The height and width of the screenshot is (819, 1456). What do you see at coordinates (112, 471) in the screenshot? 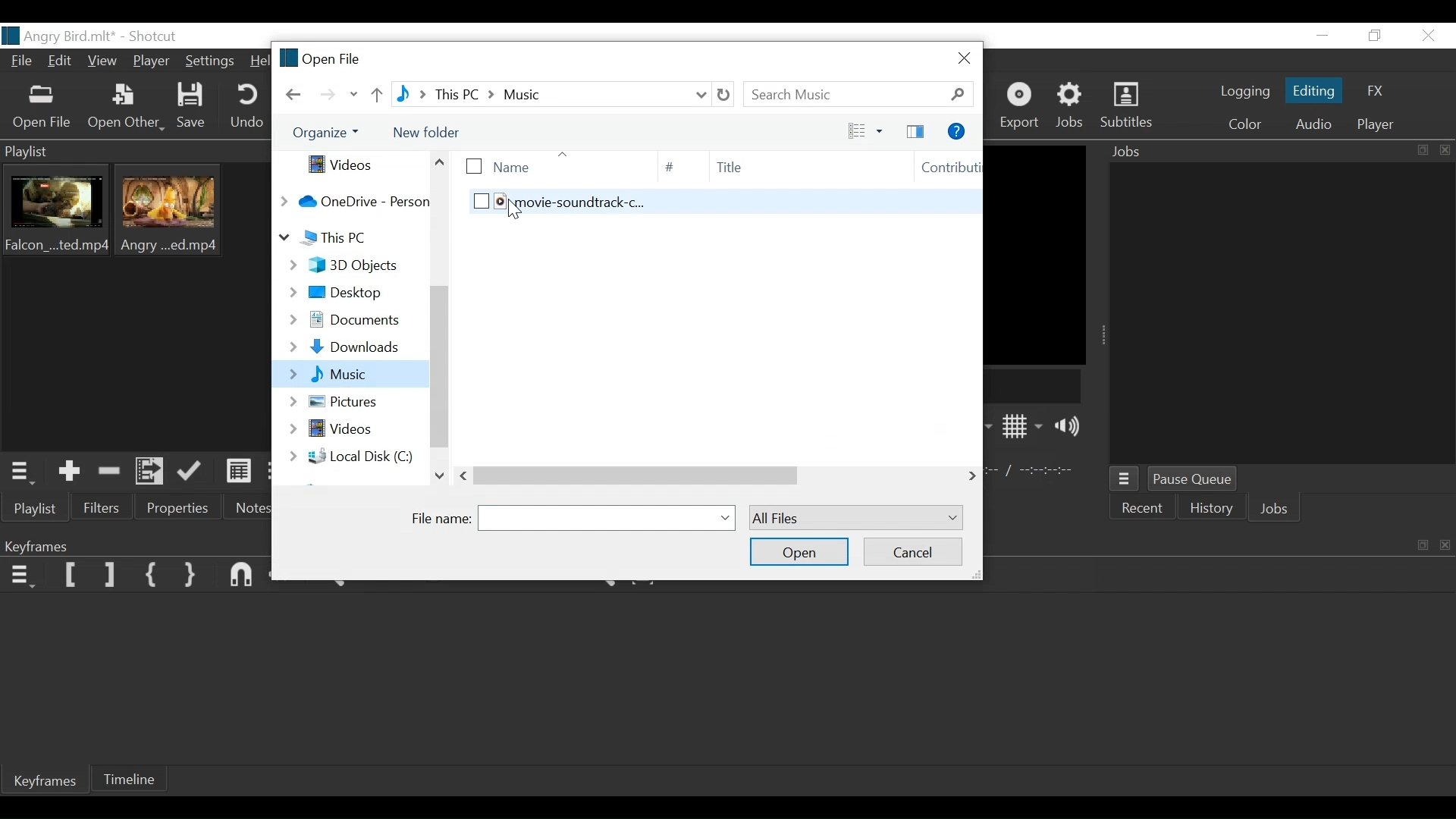
I see `Remove cut` at bounding box center [112, 471].